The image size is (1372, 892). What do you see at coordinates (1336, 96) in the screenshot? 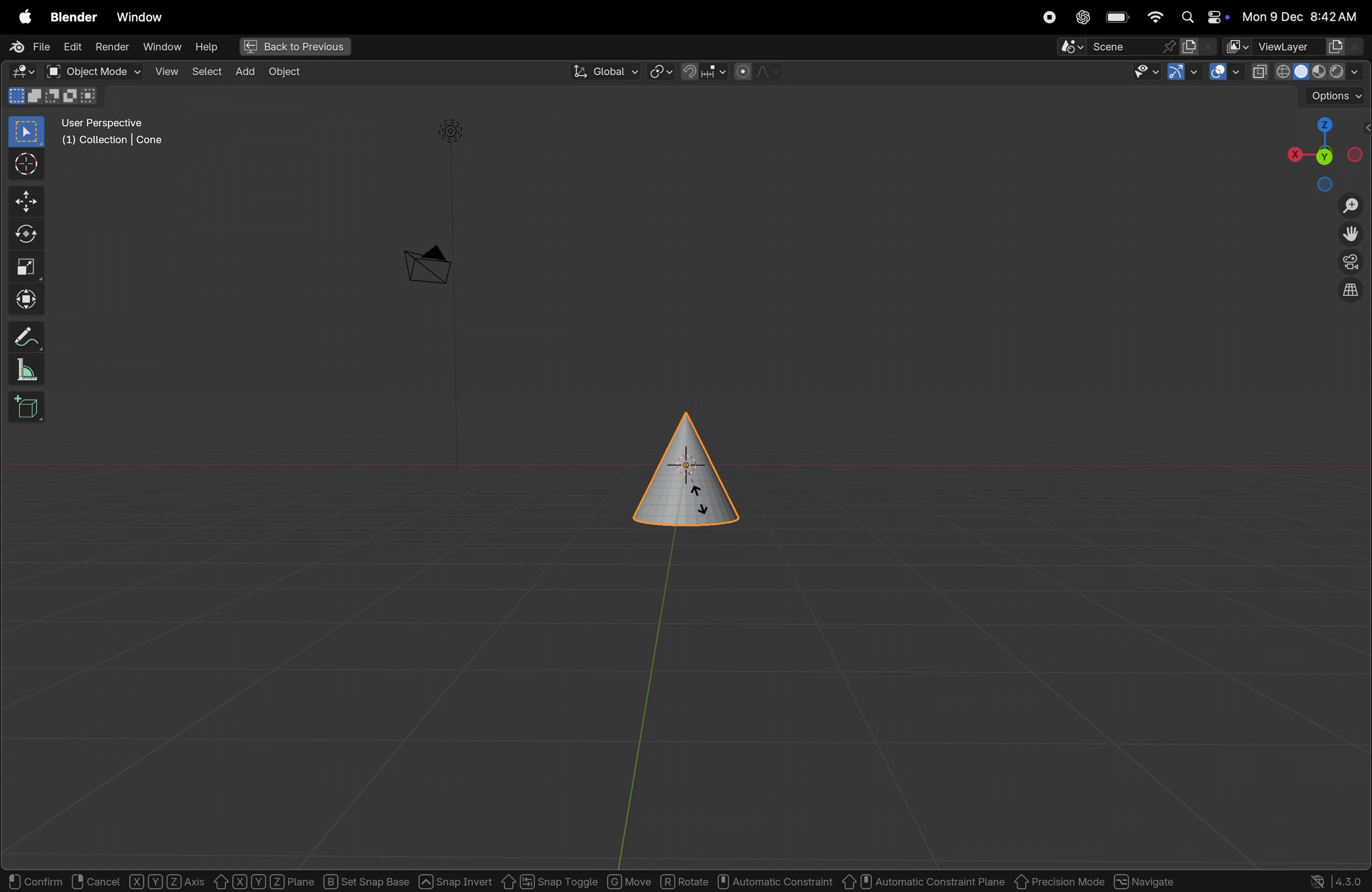
I see `options` at bounding box center [1336, 96].